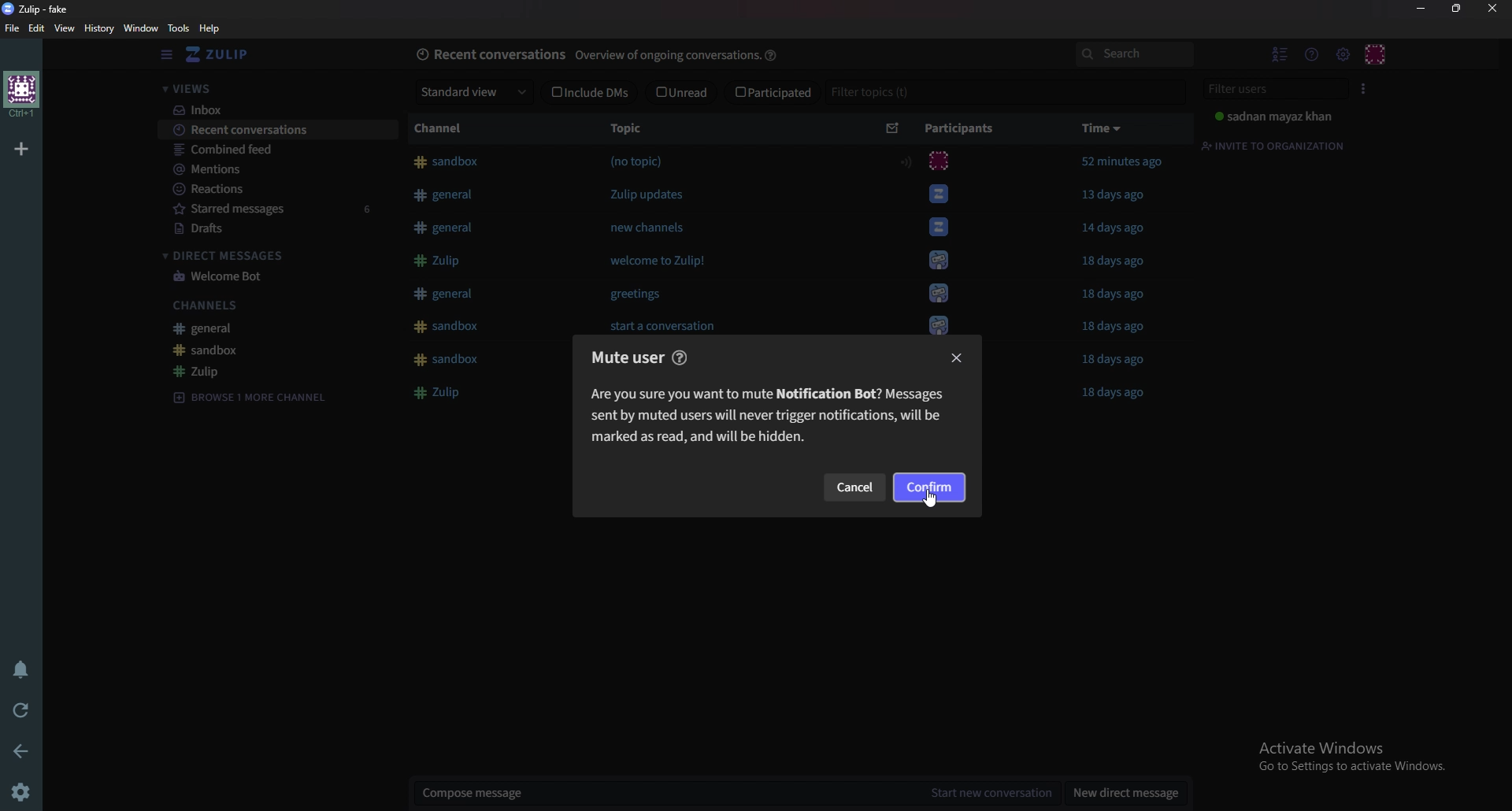 This screenshot has height=811, width=1512. I want to click on Filter users, so click(1270, 90).